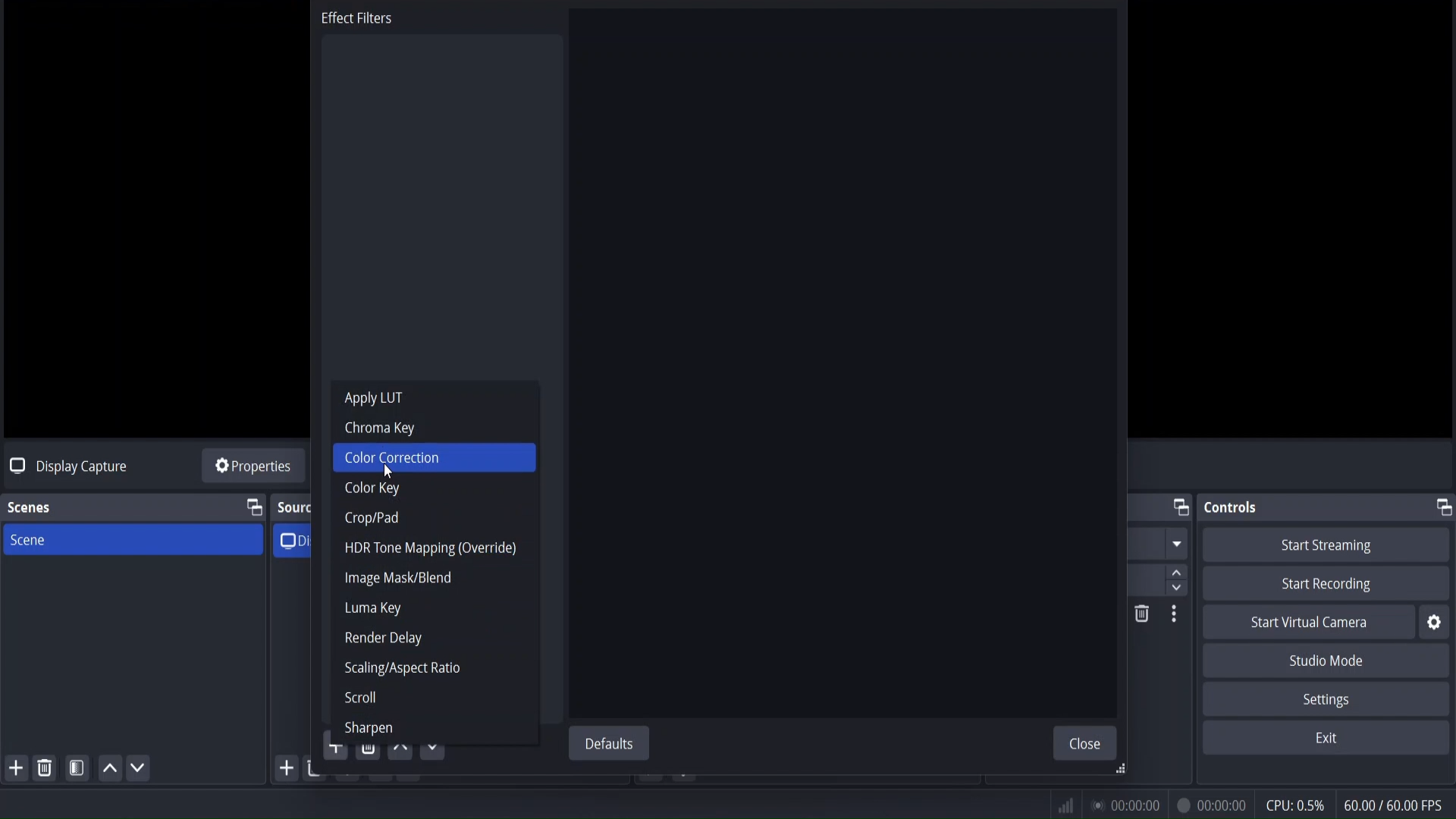 The image size is (1456, 819). What do you see at coordinates (139, 770) in the screenshot?
I see `move scene down` at bounding box center [139, 770].